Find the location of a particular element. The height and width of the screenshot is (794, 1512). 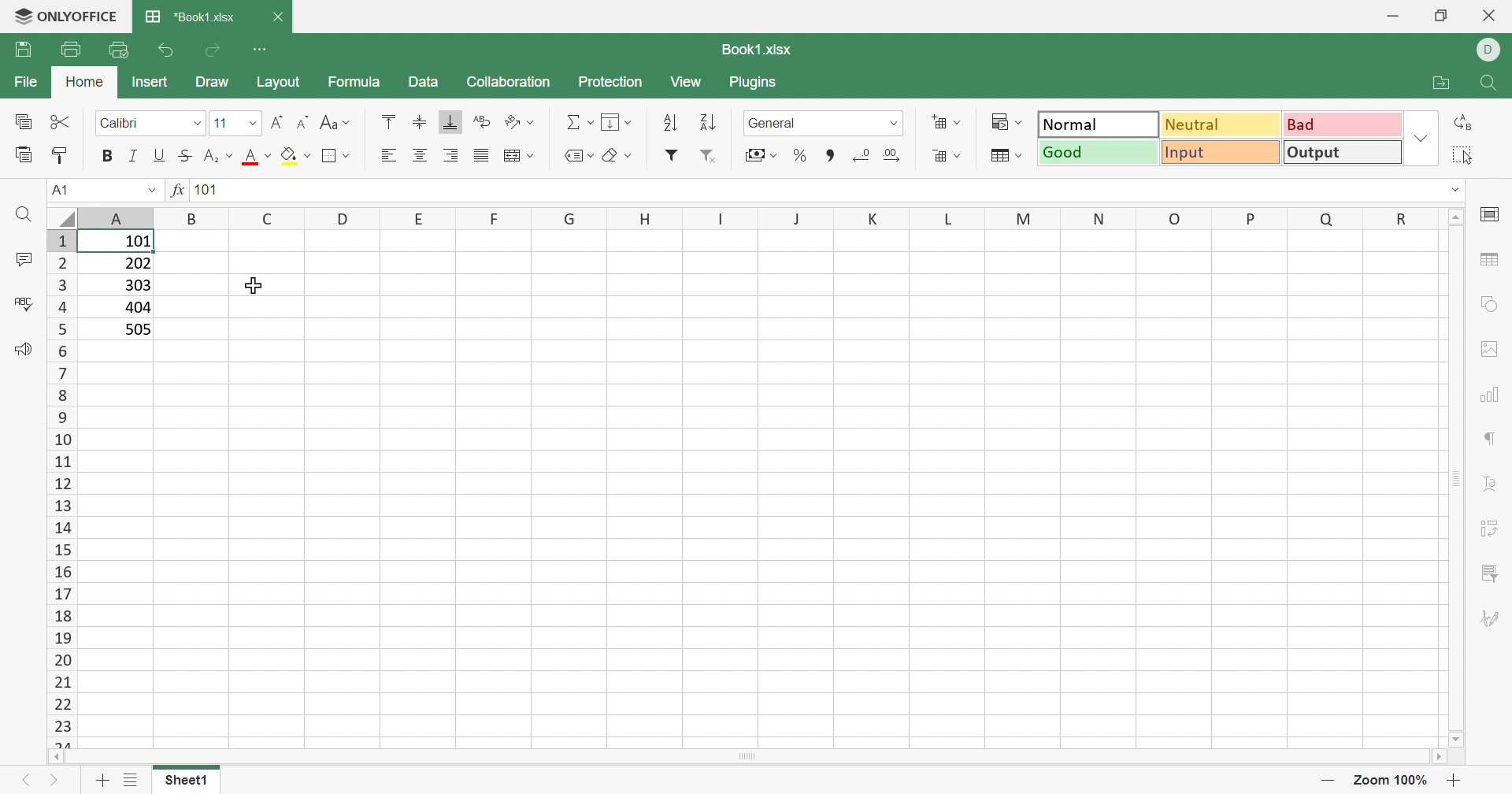

Font color is located at coordinates (258, 158).